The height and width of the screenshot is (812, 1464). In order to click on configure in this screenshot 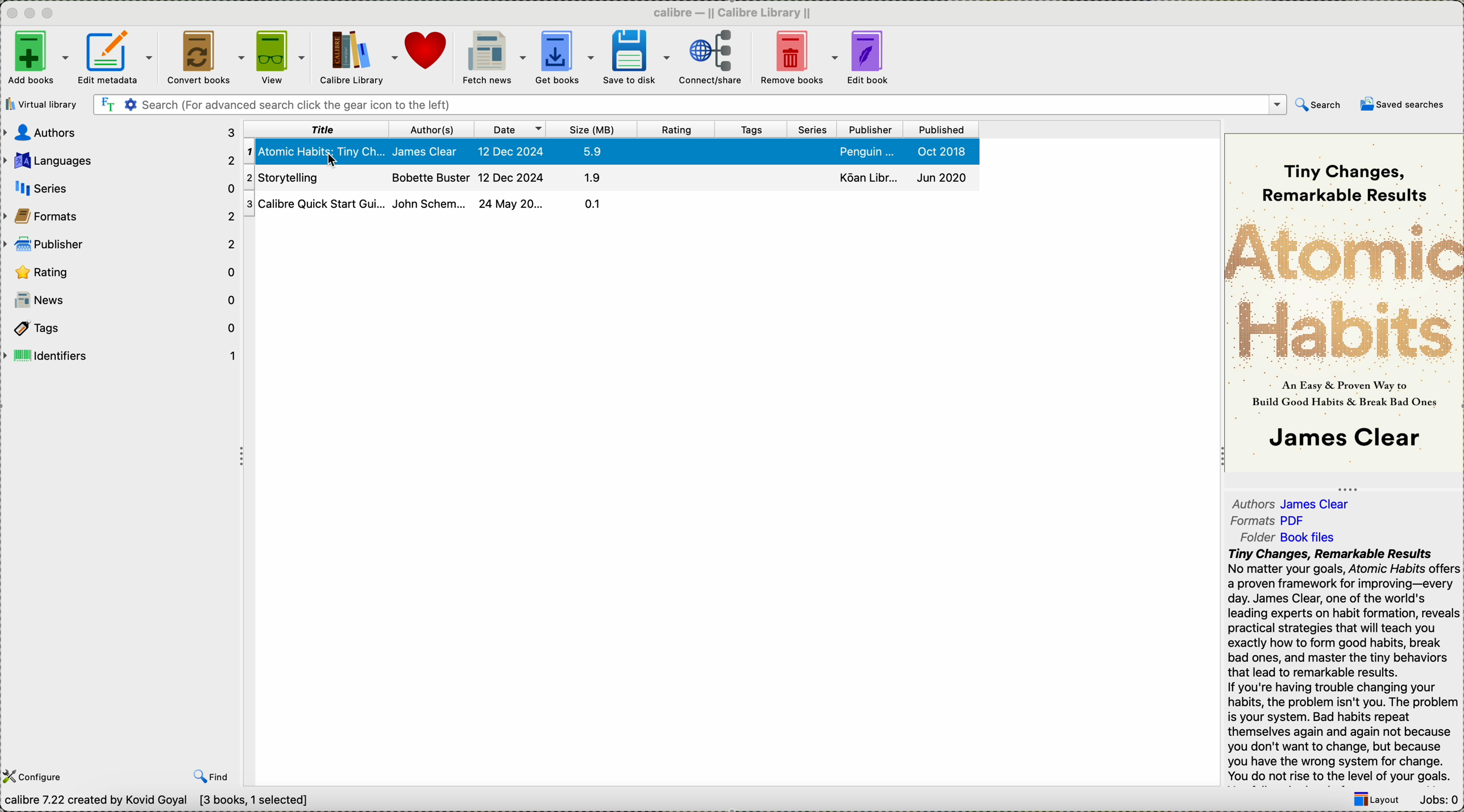, I will do `click(36, 777)`.